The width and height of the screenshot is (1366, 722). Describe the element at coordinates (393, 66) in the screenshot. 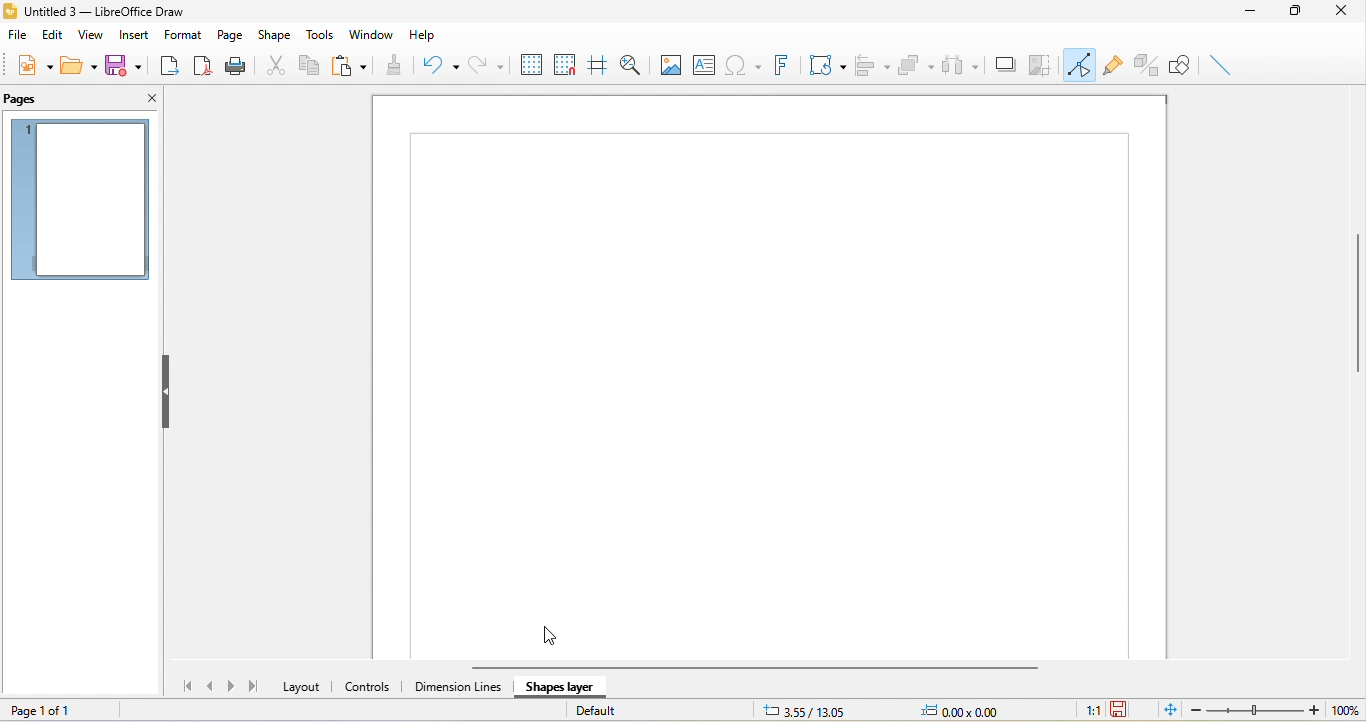

I see `clone formatting` at that location.